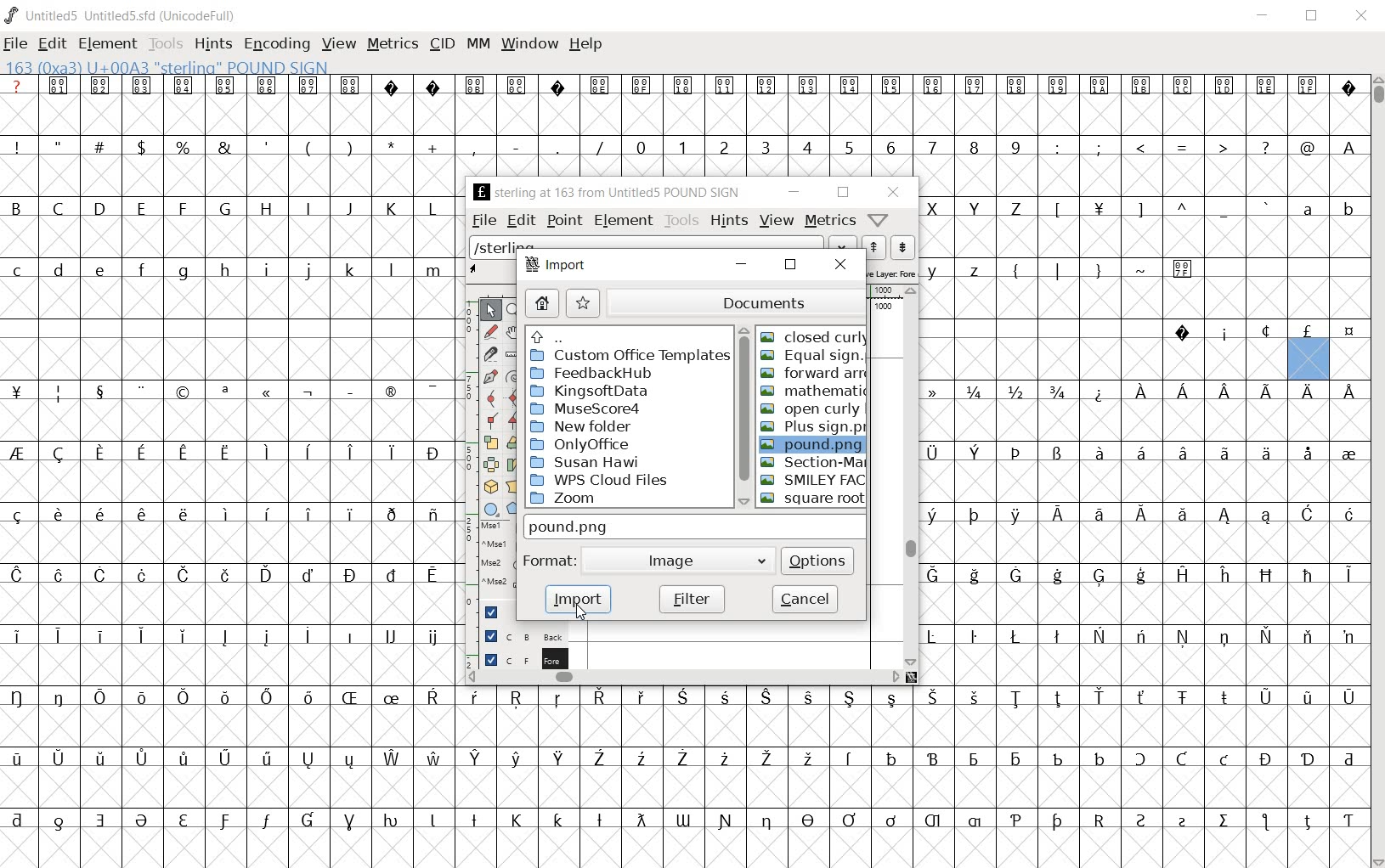 This screenshot has width=1385, height=868. I want to click on restore, so click(843, 193).